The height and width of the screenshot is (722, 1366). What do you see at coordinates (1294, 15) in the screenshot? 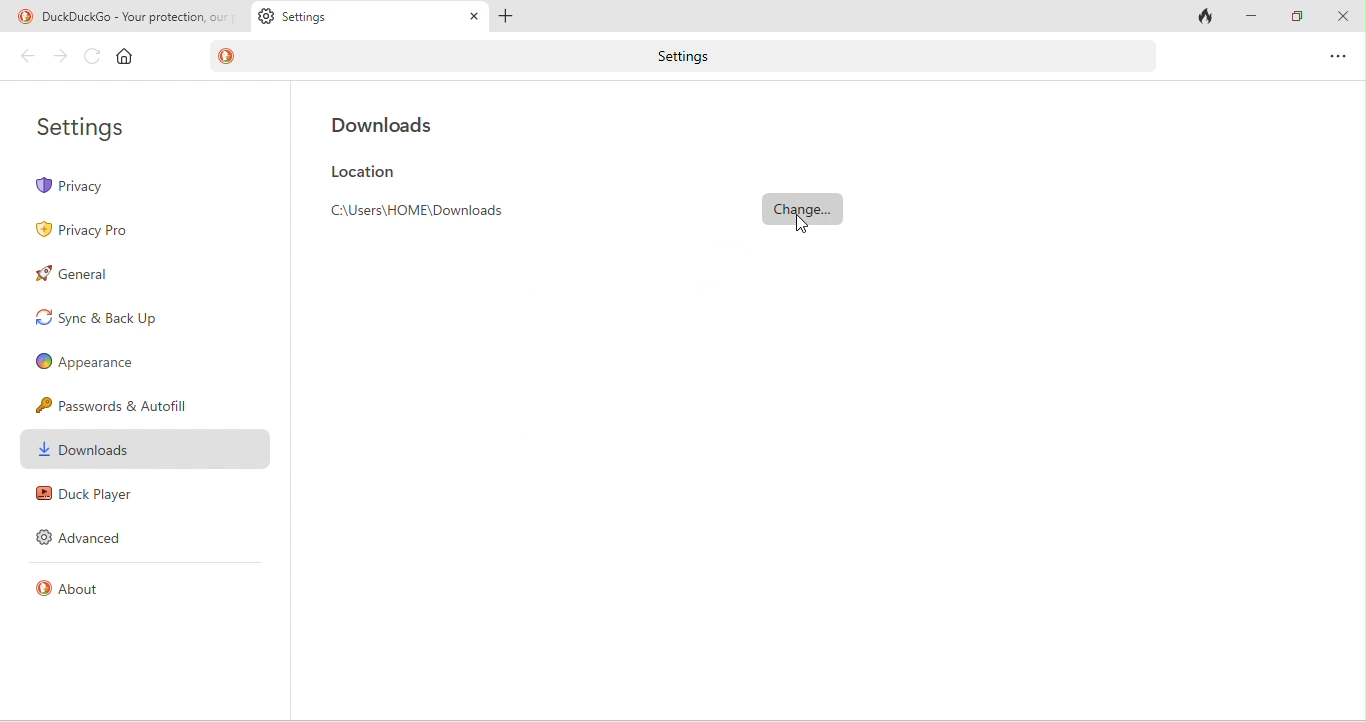
I see `maximize` at bounding box center [1294, 15].